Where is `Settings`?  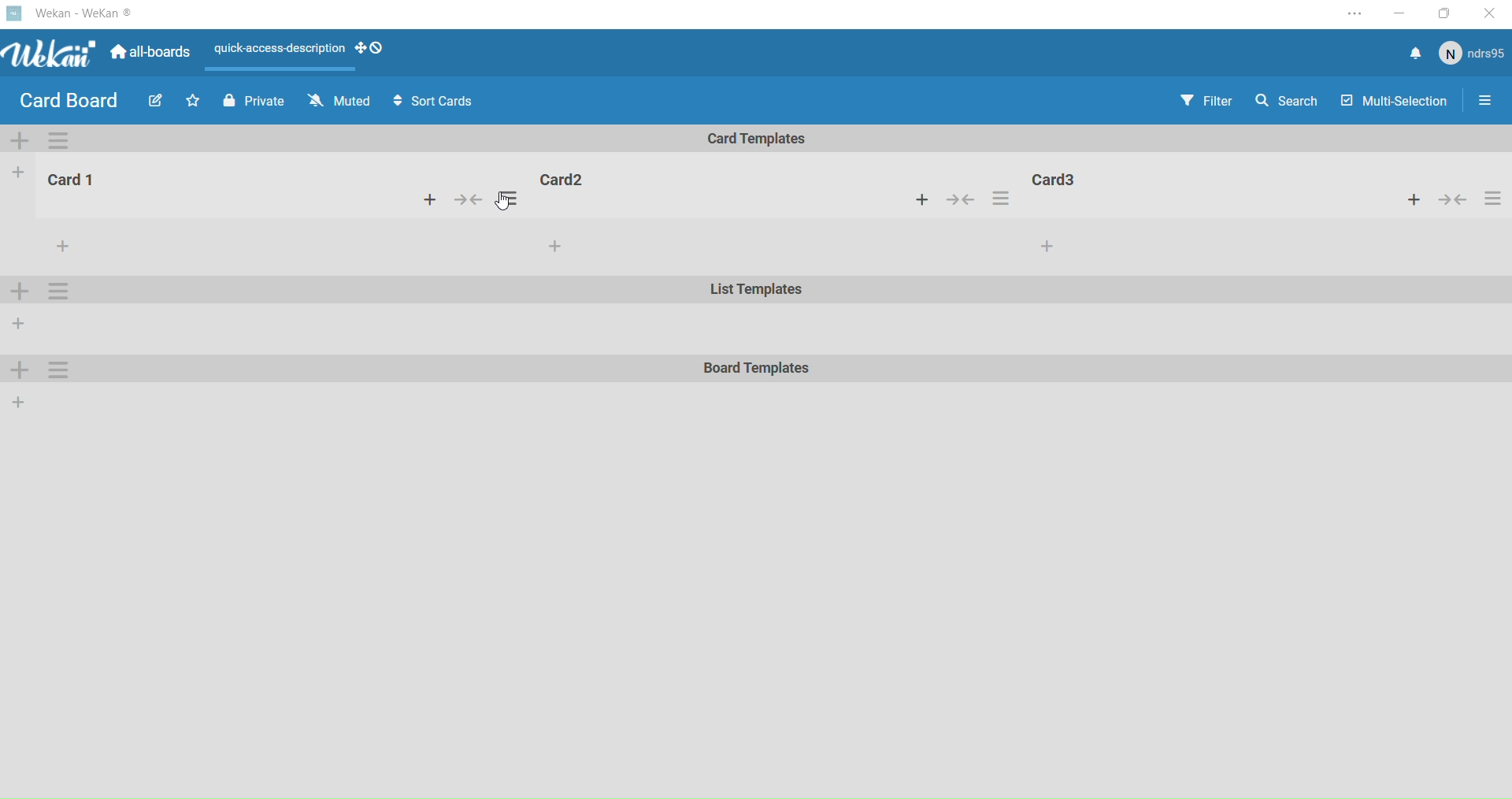 Settings is located at coordinates (53, 373).